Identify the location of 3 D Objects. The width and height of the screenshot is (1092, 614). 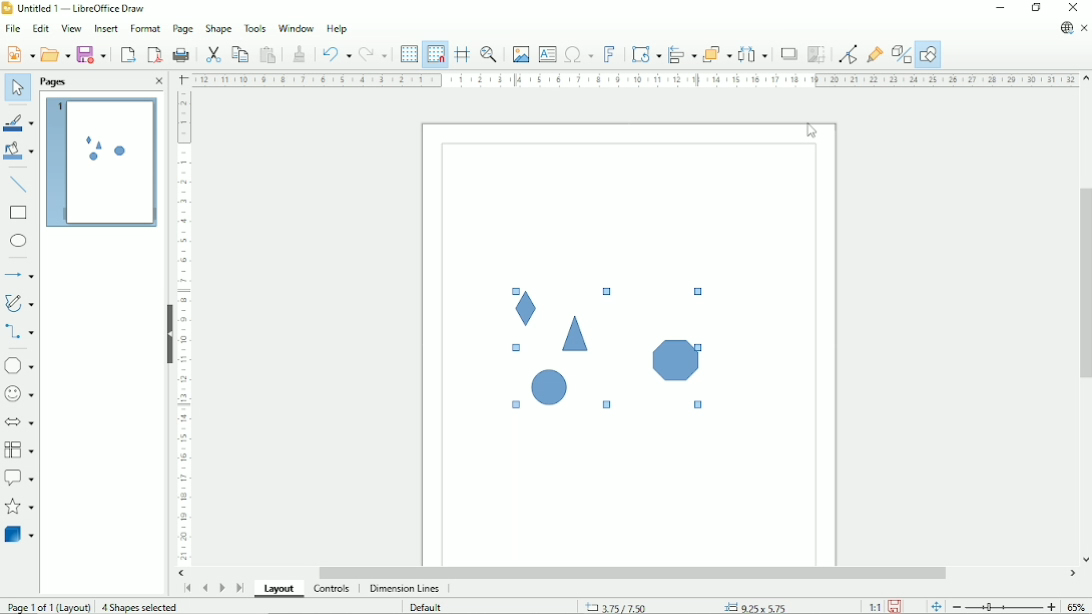
(20, 535).